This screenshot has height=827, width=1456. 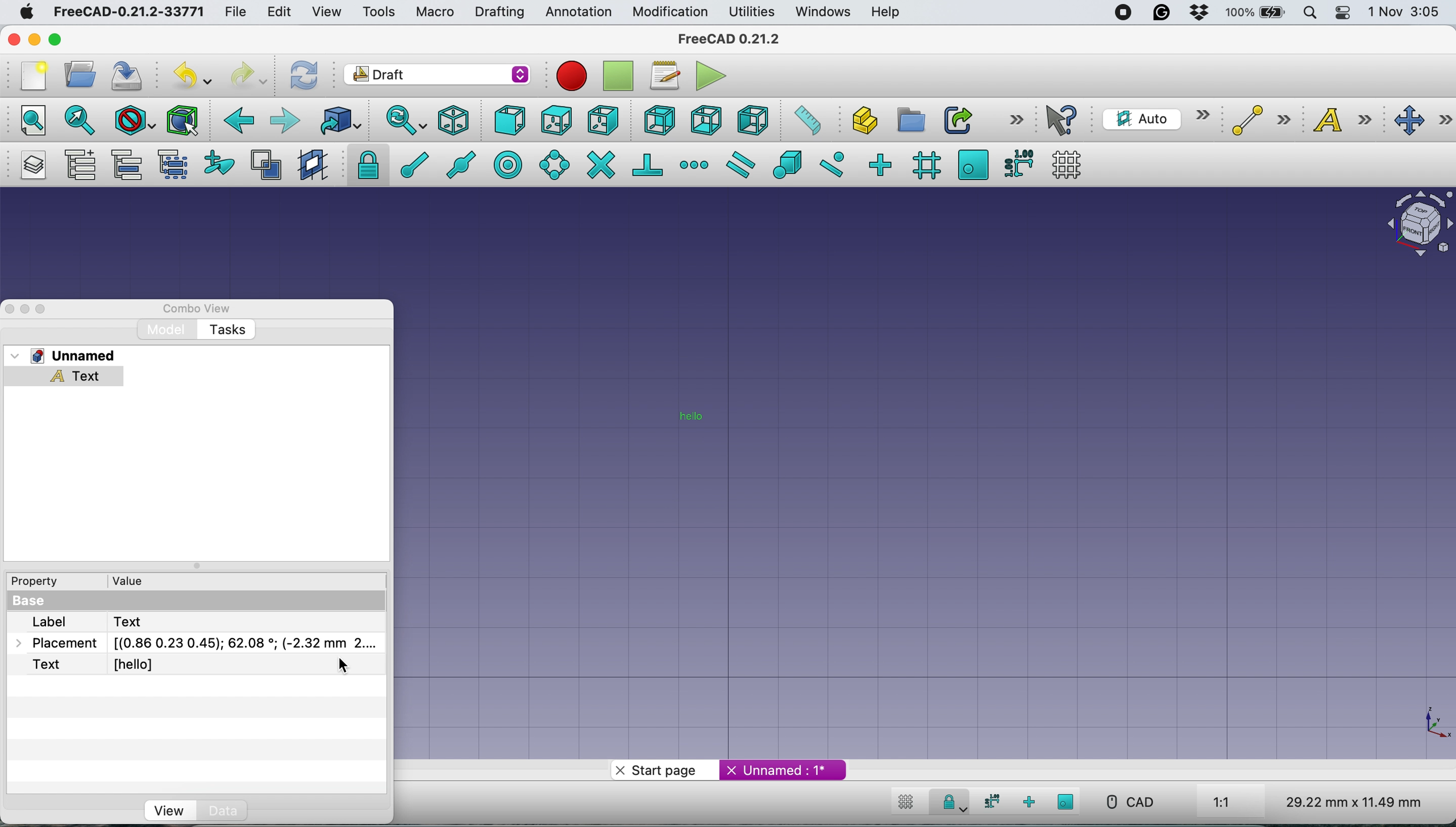 What do you see at coordinates (954, 119) in the screenshot?
I see `make link` at bounding box center [954, 119].